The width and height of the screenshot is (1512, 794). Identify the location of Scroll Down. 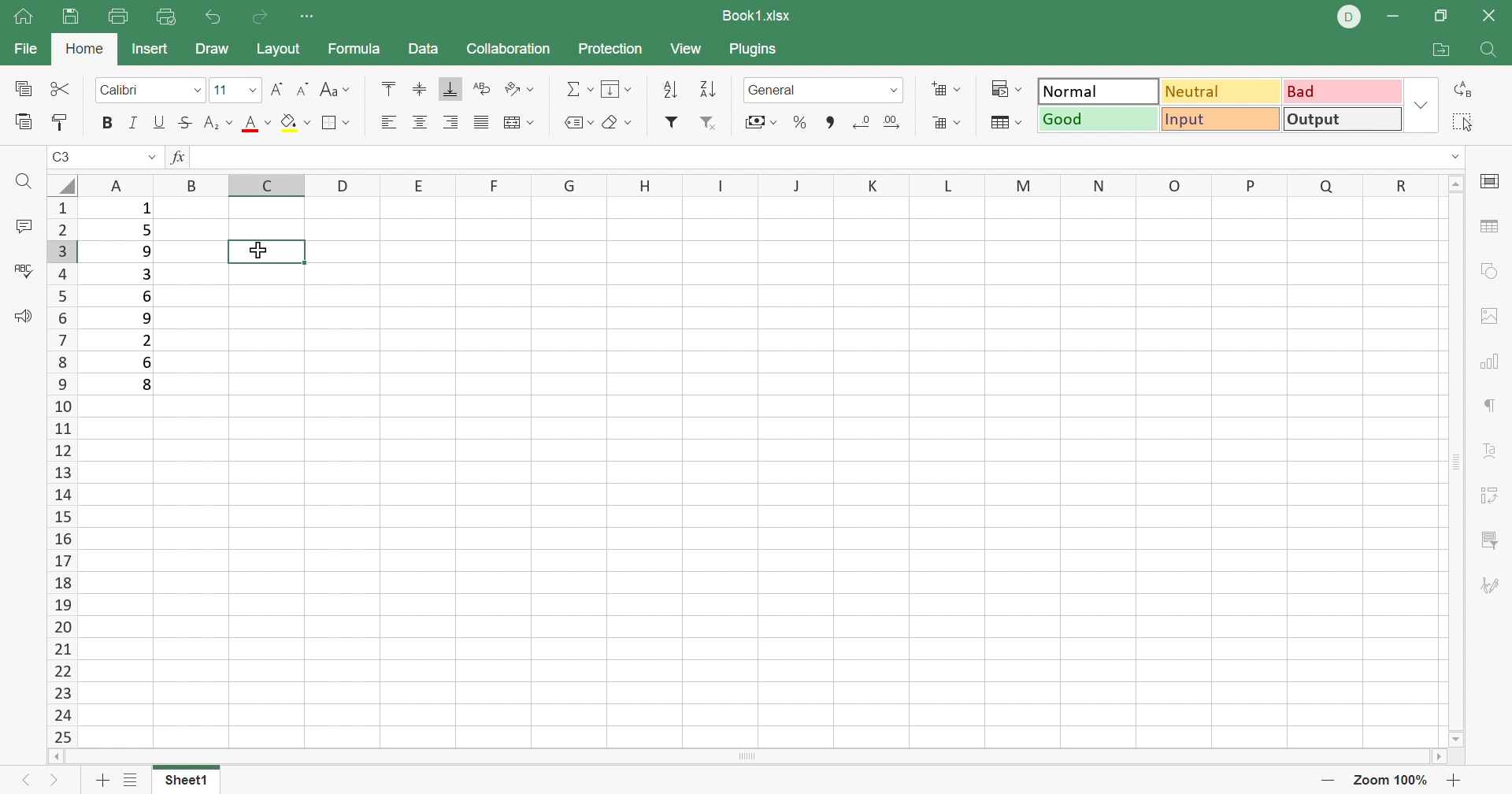
(1455, 739).